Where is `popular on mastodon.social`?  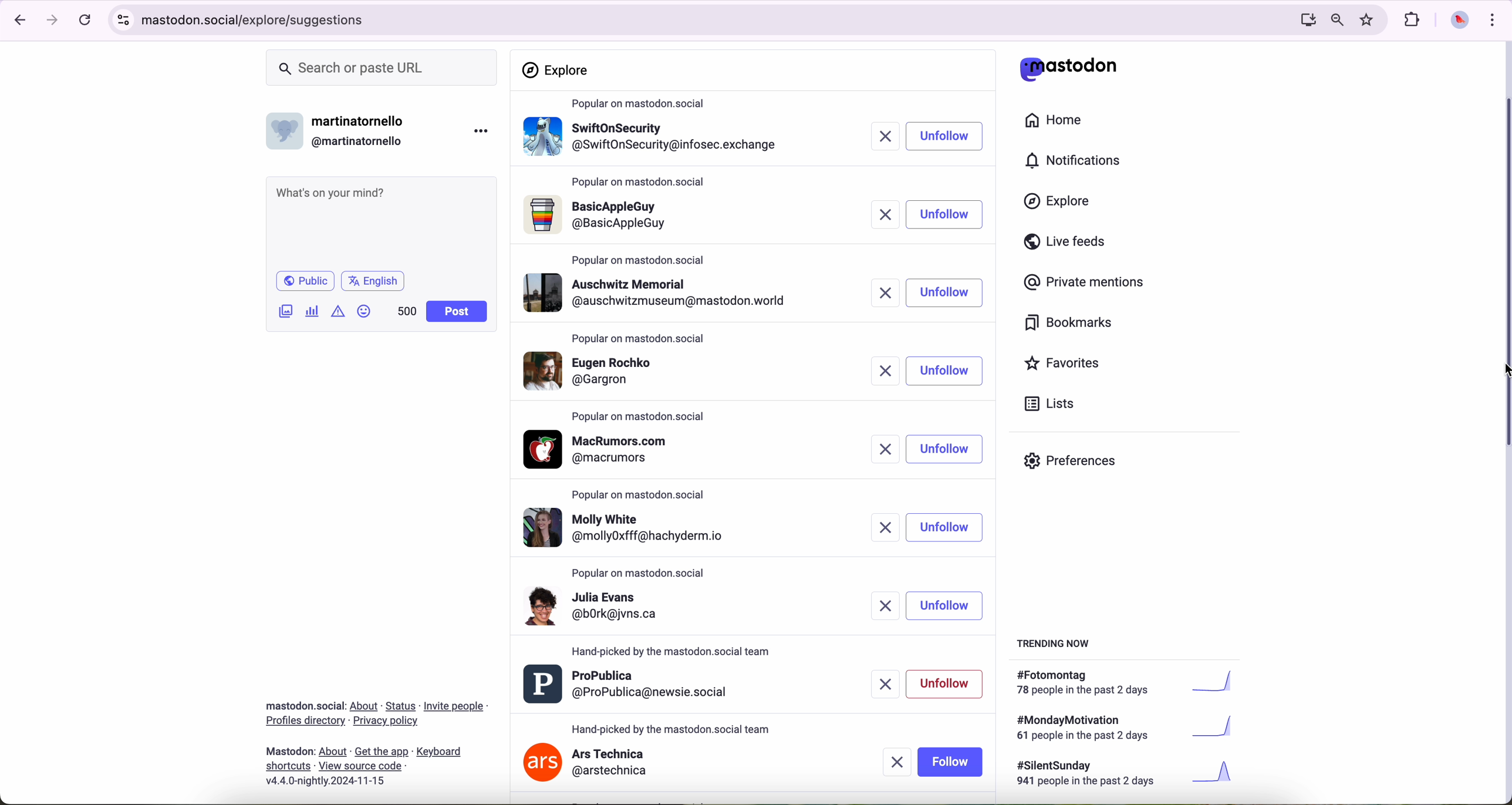
popular on mastodon.social is located at coordinates (643, 497).